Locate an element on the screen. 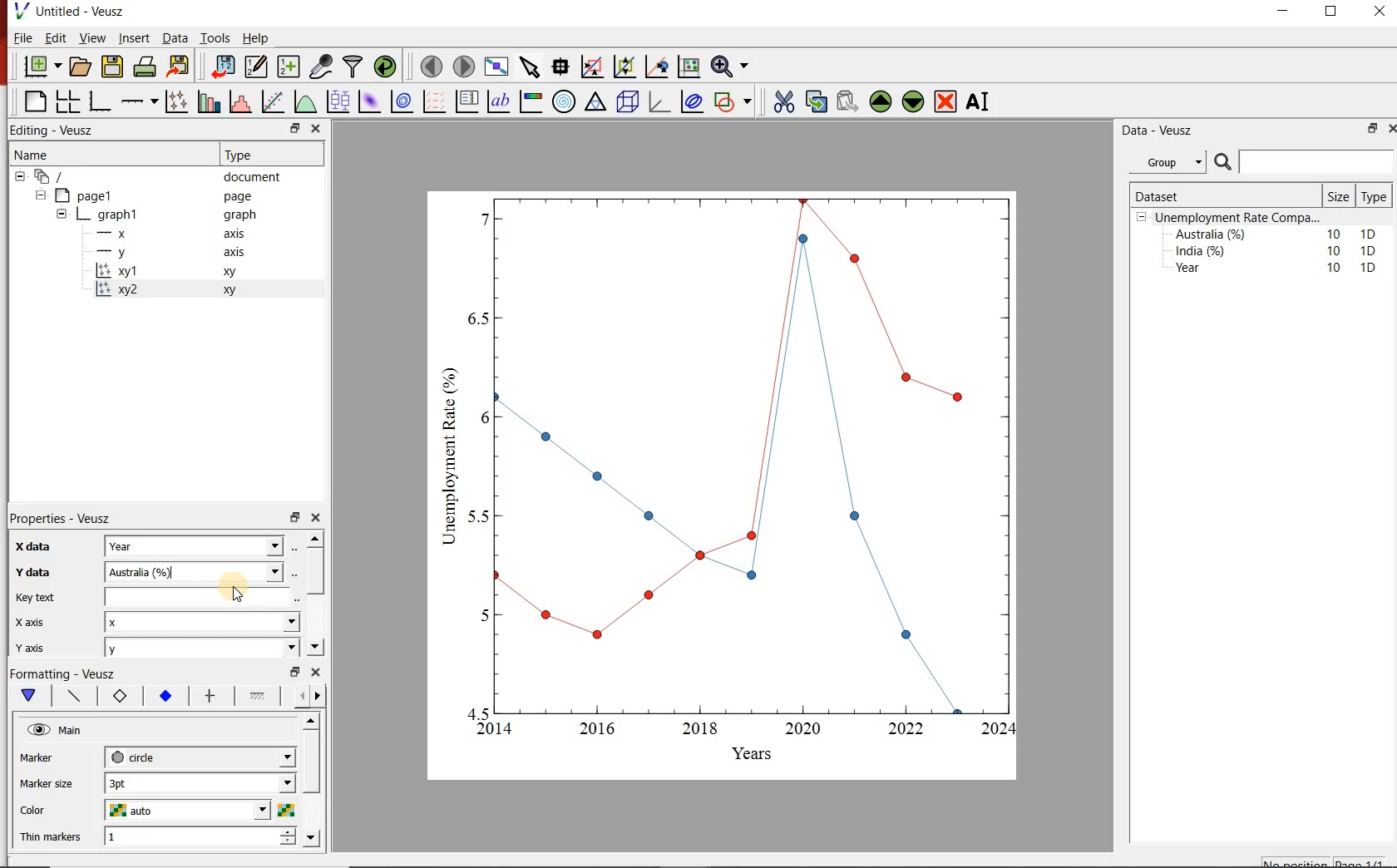 The height and width of the screenshot is (868, 1397). view plot on full screen is located at coordinates (498, 66).